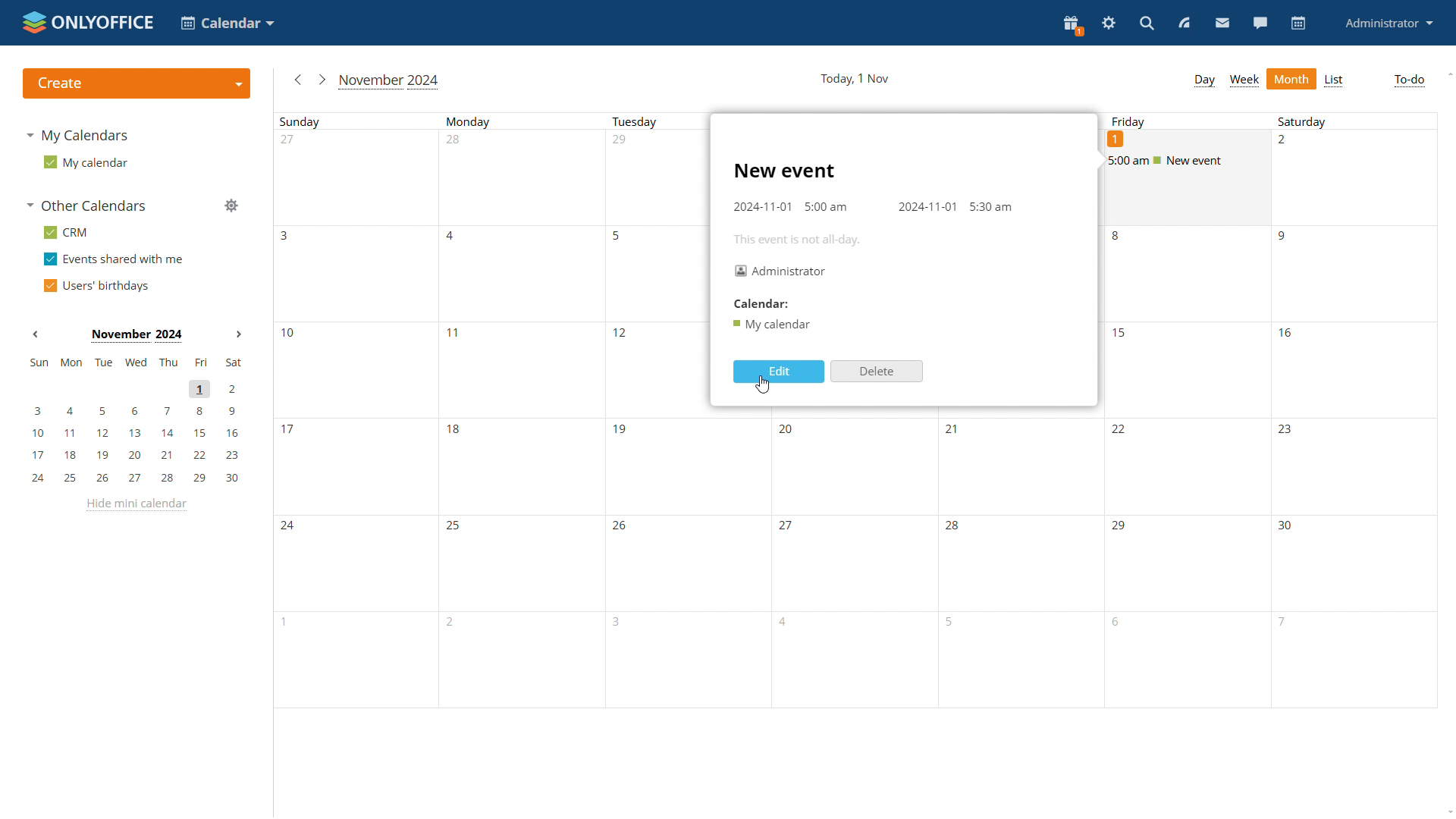 This screenshot has height=819, width=1456. What do you see at coordinates (1182, 23) in the screenshot?
I see `feed` at bounding box center [1182, 23].